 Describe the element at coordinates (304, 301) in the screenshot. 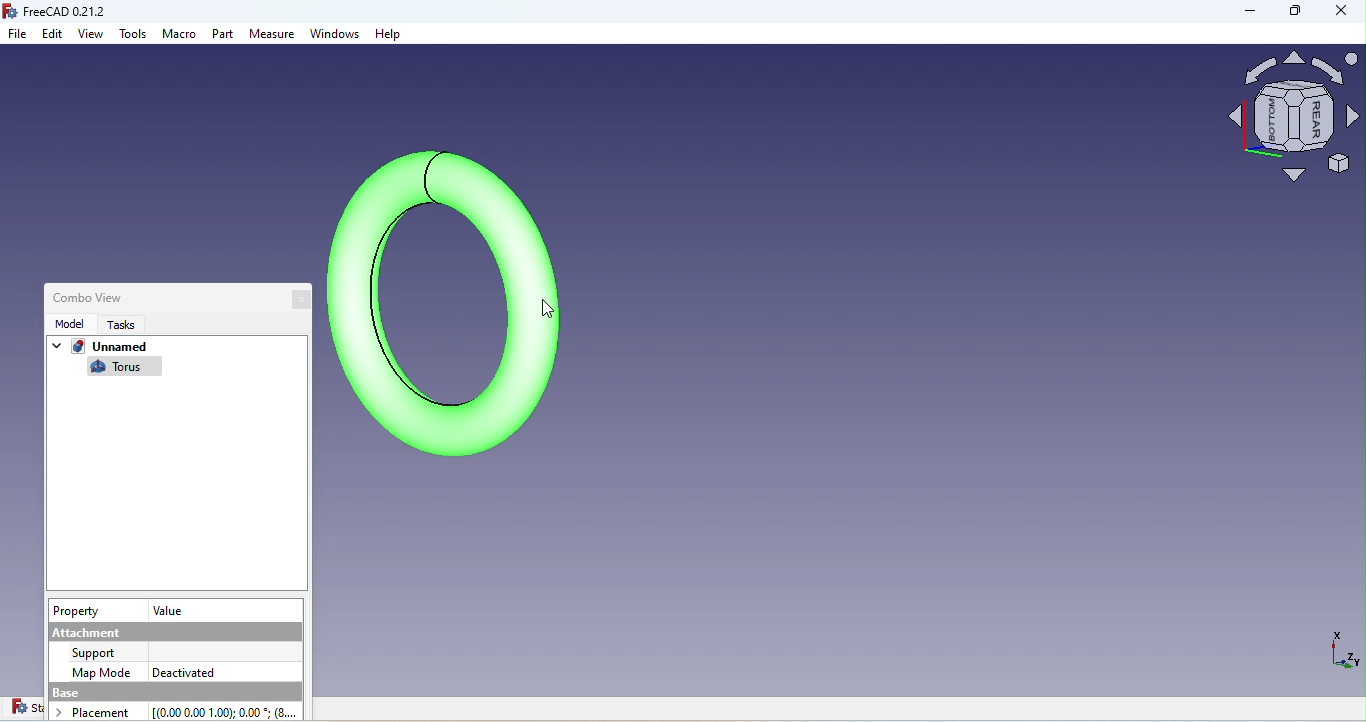

I see `Close` at that location.